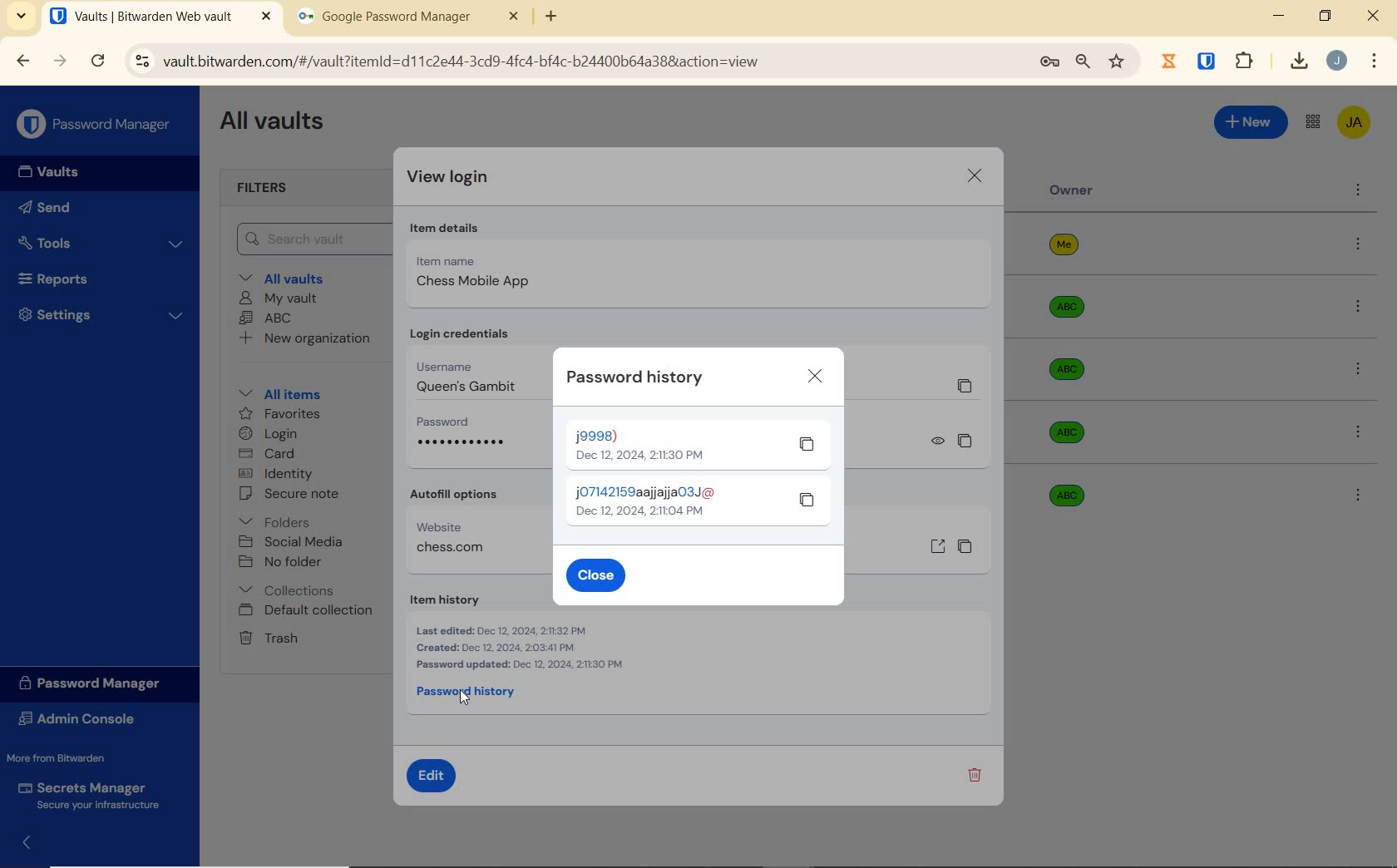  What do you see at coordinates (815, 376) in the screenshot?
I see `CLOSE` at bounding box center [815, 376].